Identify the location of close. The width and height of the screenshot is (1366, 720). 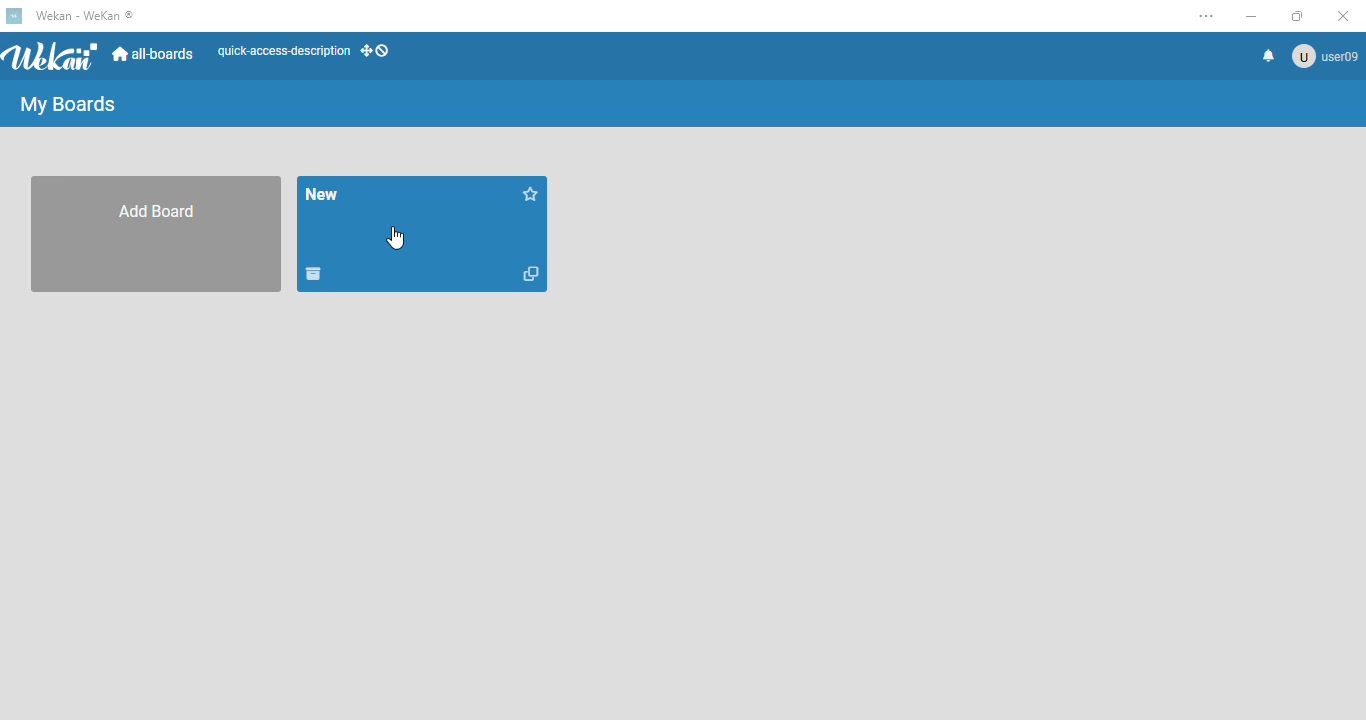
(1343, 16).